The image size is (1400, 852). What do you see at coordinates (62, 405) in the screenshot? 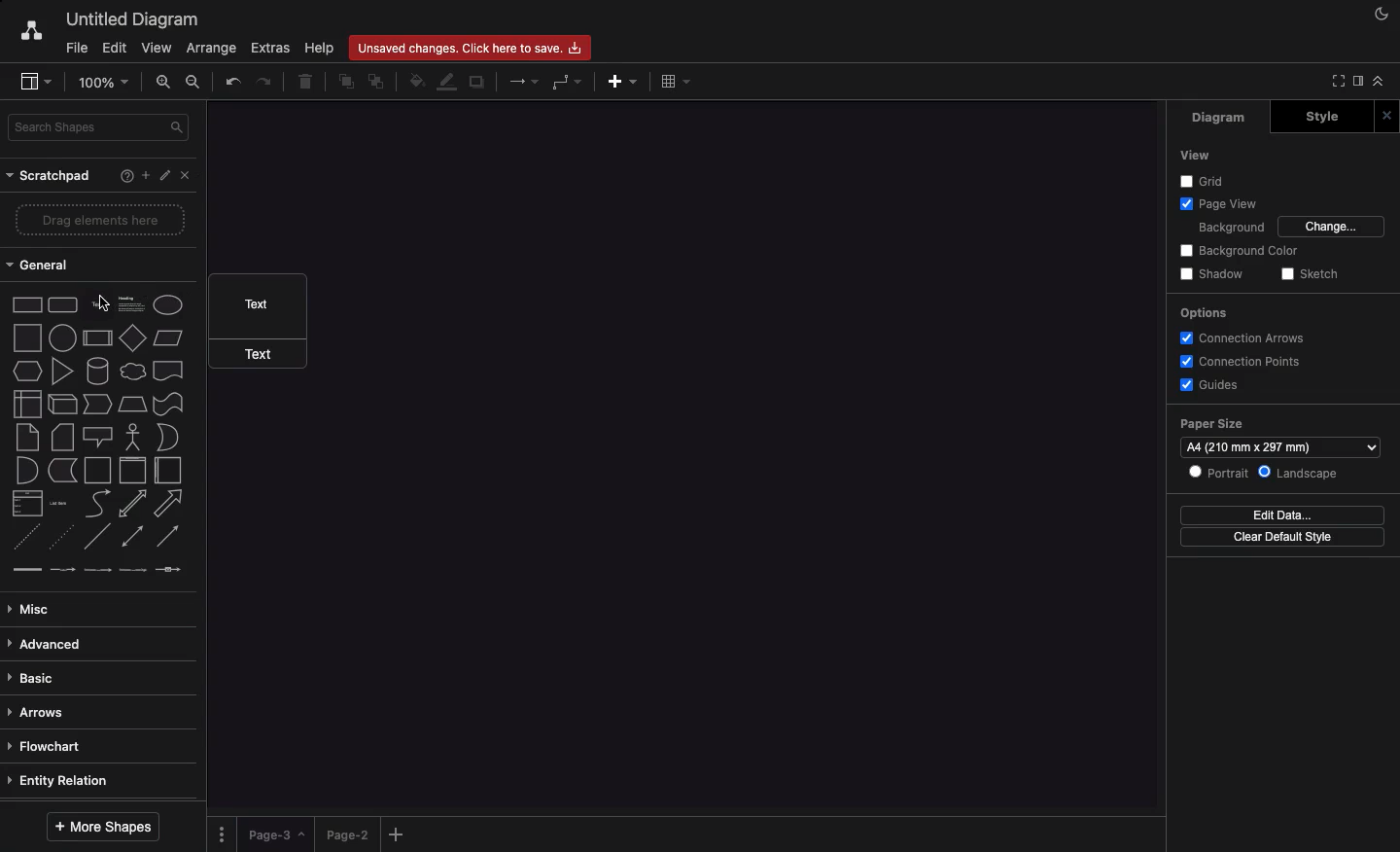
I see `cube` at bounding box center [62, 405].